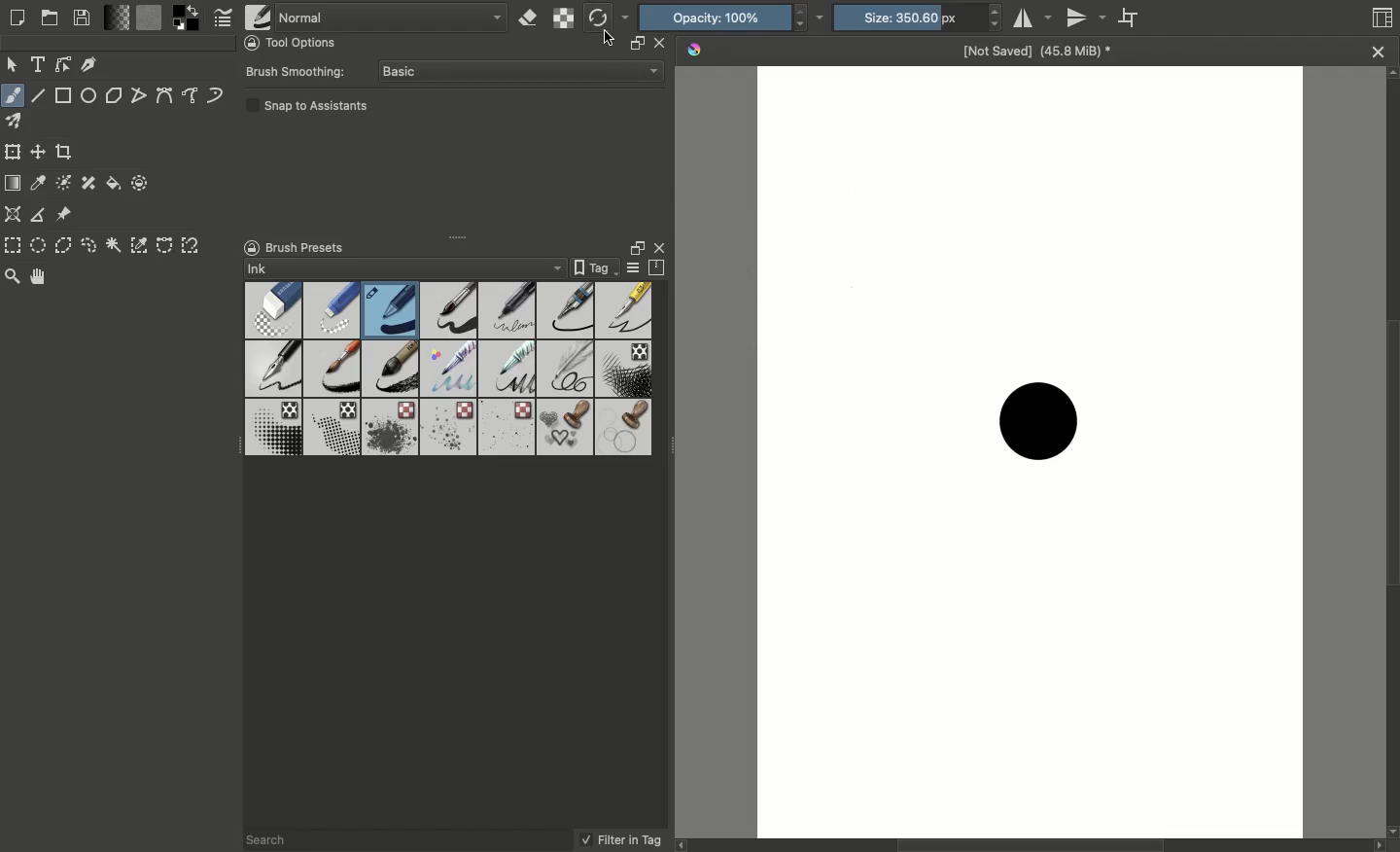  I want to click on Polygonal selection tool, so click(64, 244).